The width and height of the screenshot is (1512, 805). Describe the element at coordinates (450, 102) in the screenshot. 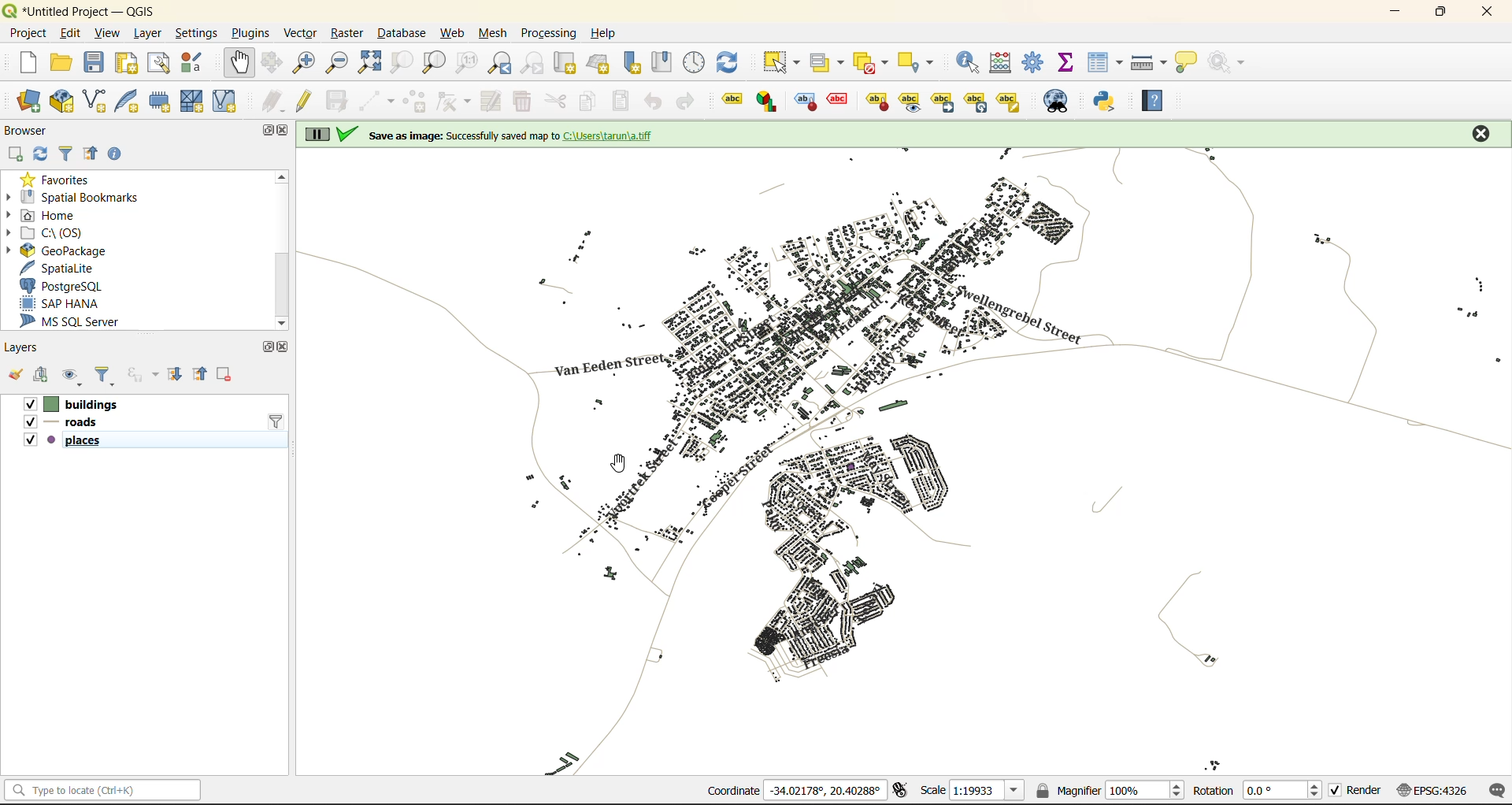

I see `vertex tools` at that location.